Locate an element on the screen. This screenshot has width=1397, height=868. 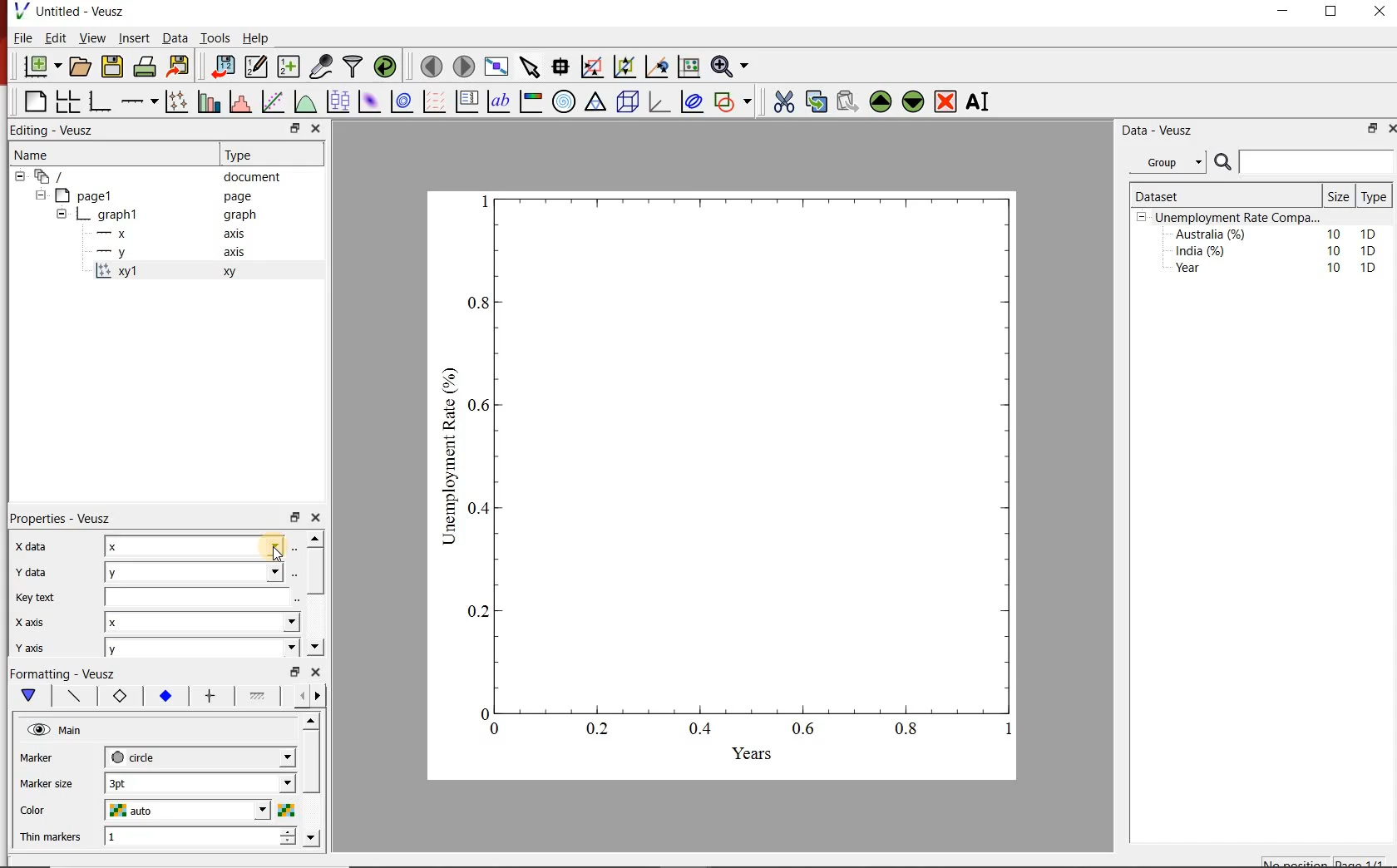
marker border is located at coordinates (119, 697).